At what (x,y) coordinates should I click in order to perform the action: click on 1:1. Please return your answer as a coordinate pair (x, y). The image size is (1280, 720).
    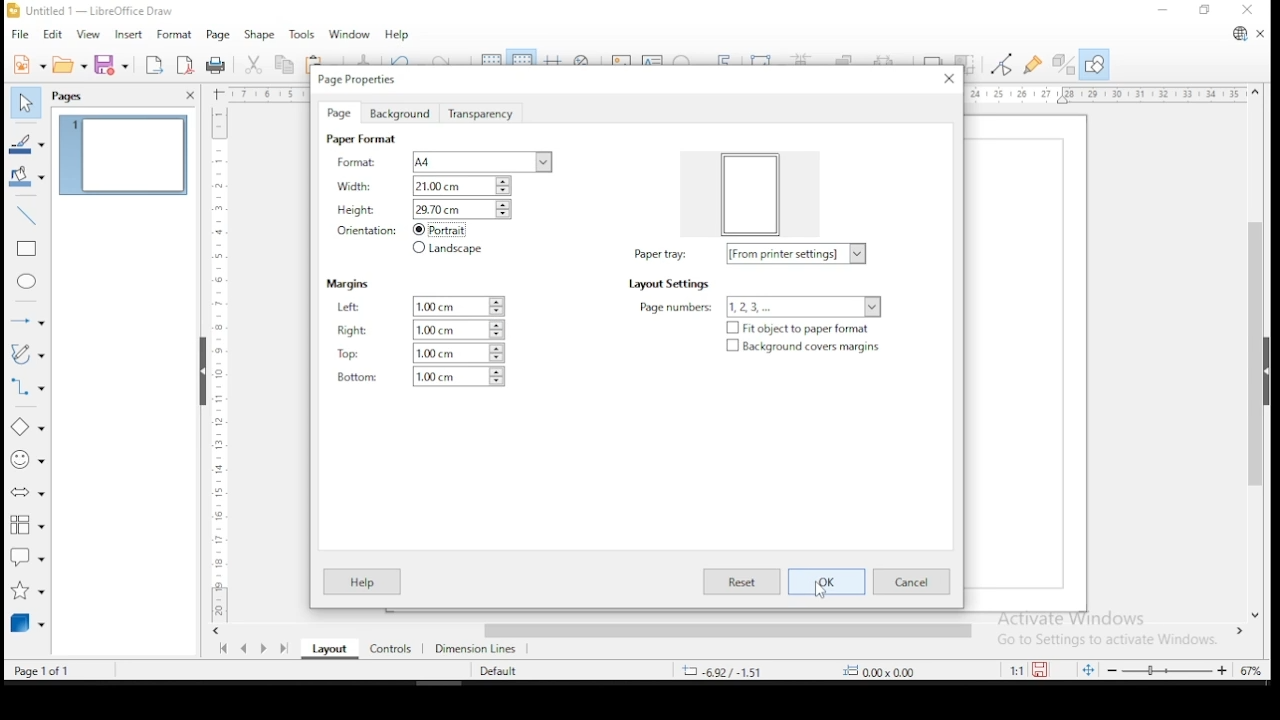
    Looking at the image, I should click on (1013, 670).